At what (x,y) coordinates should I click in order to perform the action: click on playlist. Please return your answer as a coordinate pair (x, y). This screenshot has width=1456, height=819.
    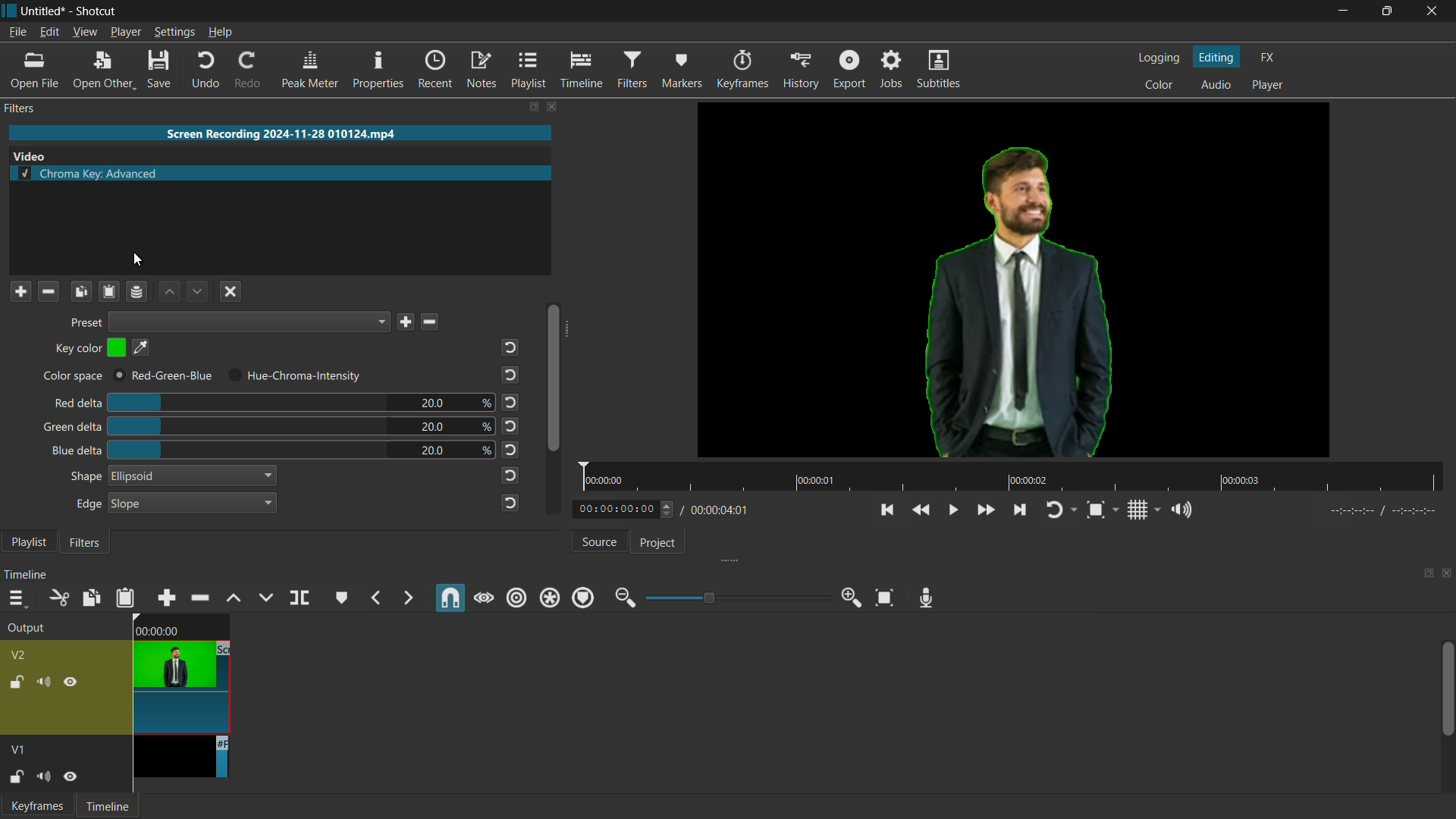
    Looking at the image, I should click on (29, 542).